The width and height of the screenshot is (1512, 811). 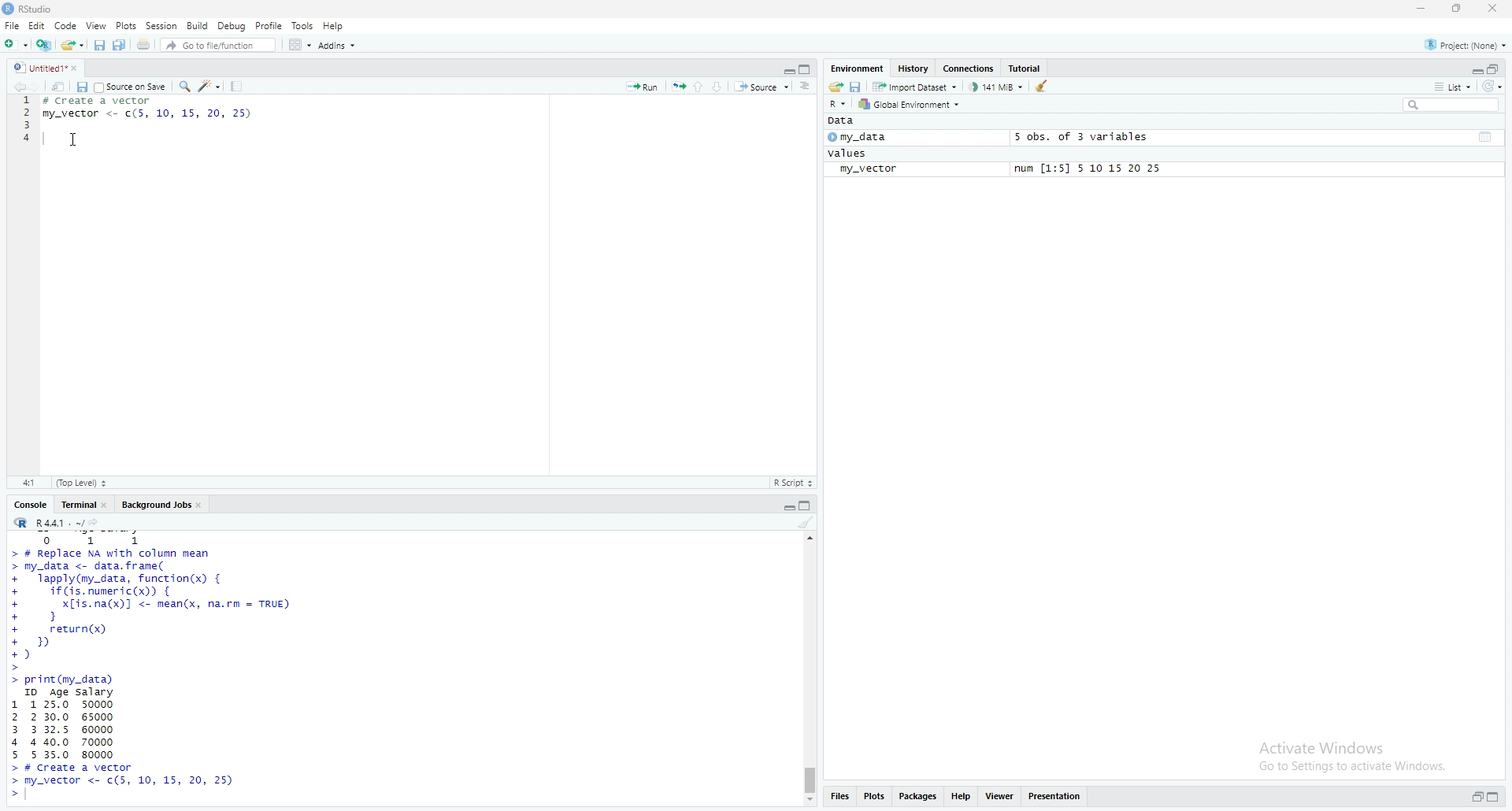 What do you see at coordinates (810, 668) in the screenshot?
I see `scrollbar` at bounding box center [810, 668].